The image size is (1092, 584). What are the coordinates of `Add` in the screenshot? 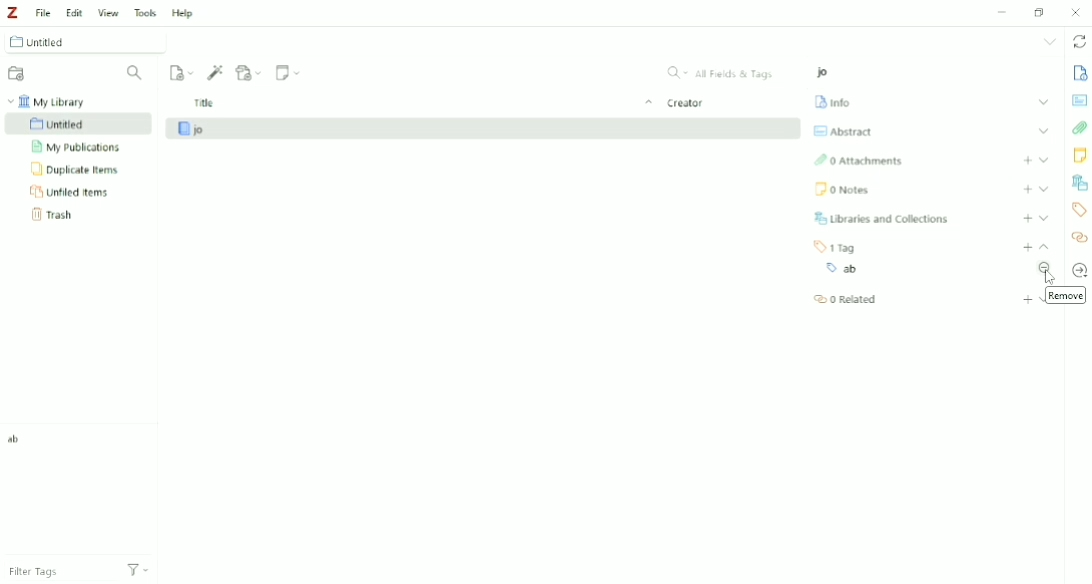 It's located at (1028, 299).